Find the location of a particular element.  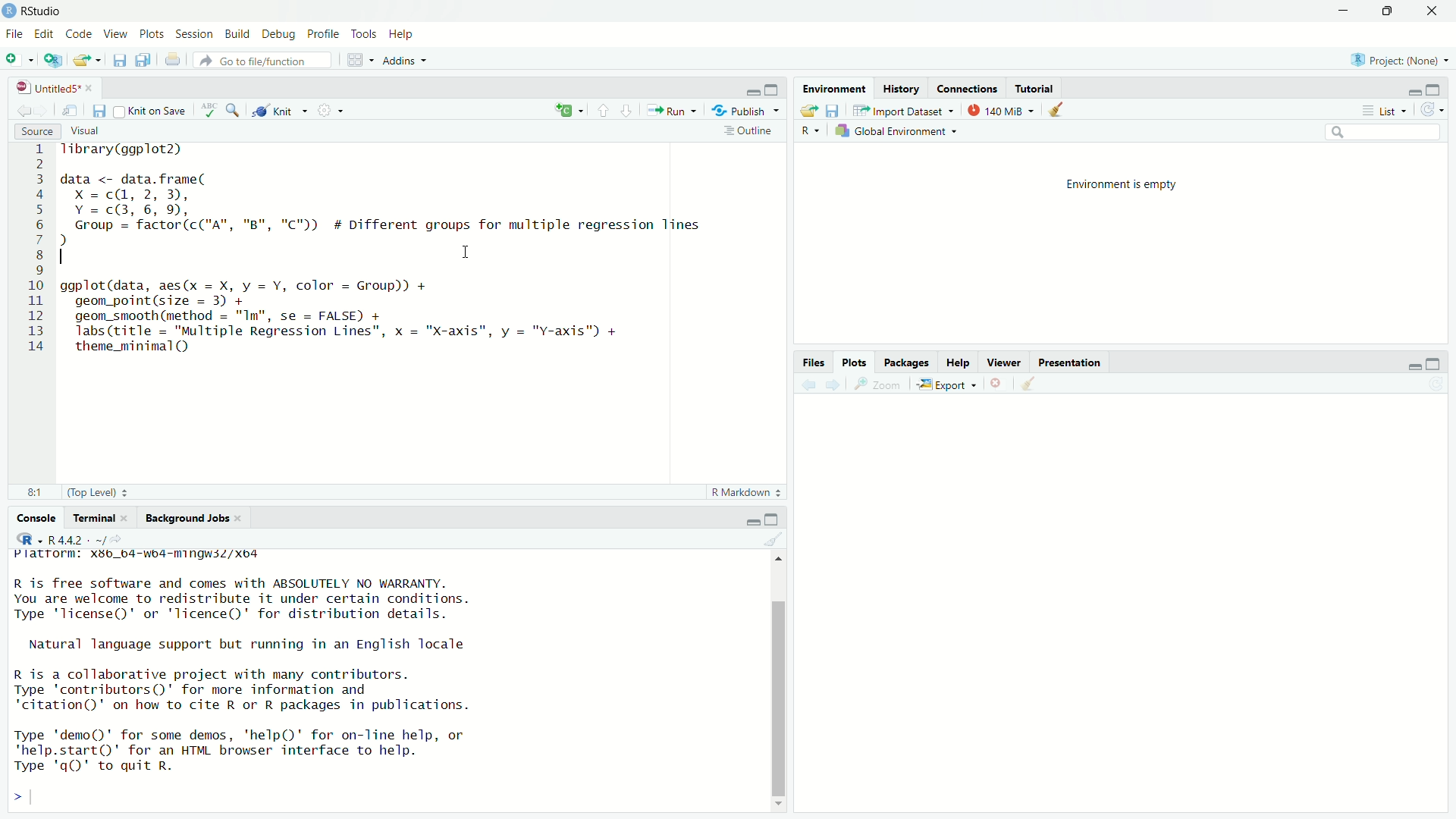

files is located at coordinates (100, 111).